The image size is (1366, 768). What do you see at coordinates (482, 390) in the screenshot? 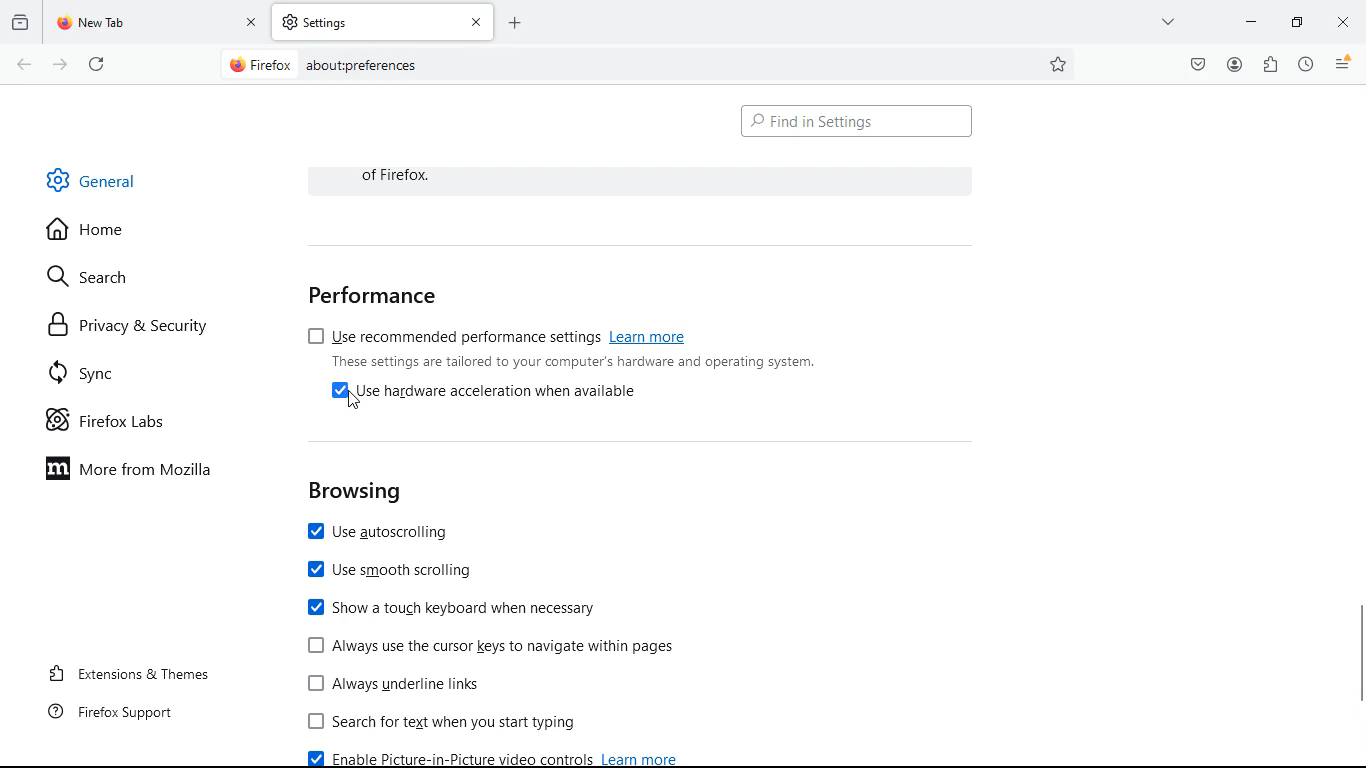
I see `[4 Use hardware acceleration when available` at bounding box center [482, 390].